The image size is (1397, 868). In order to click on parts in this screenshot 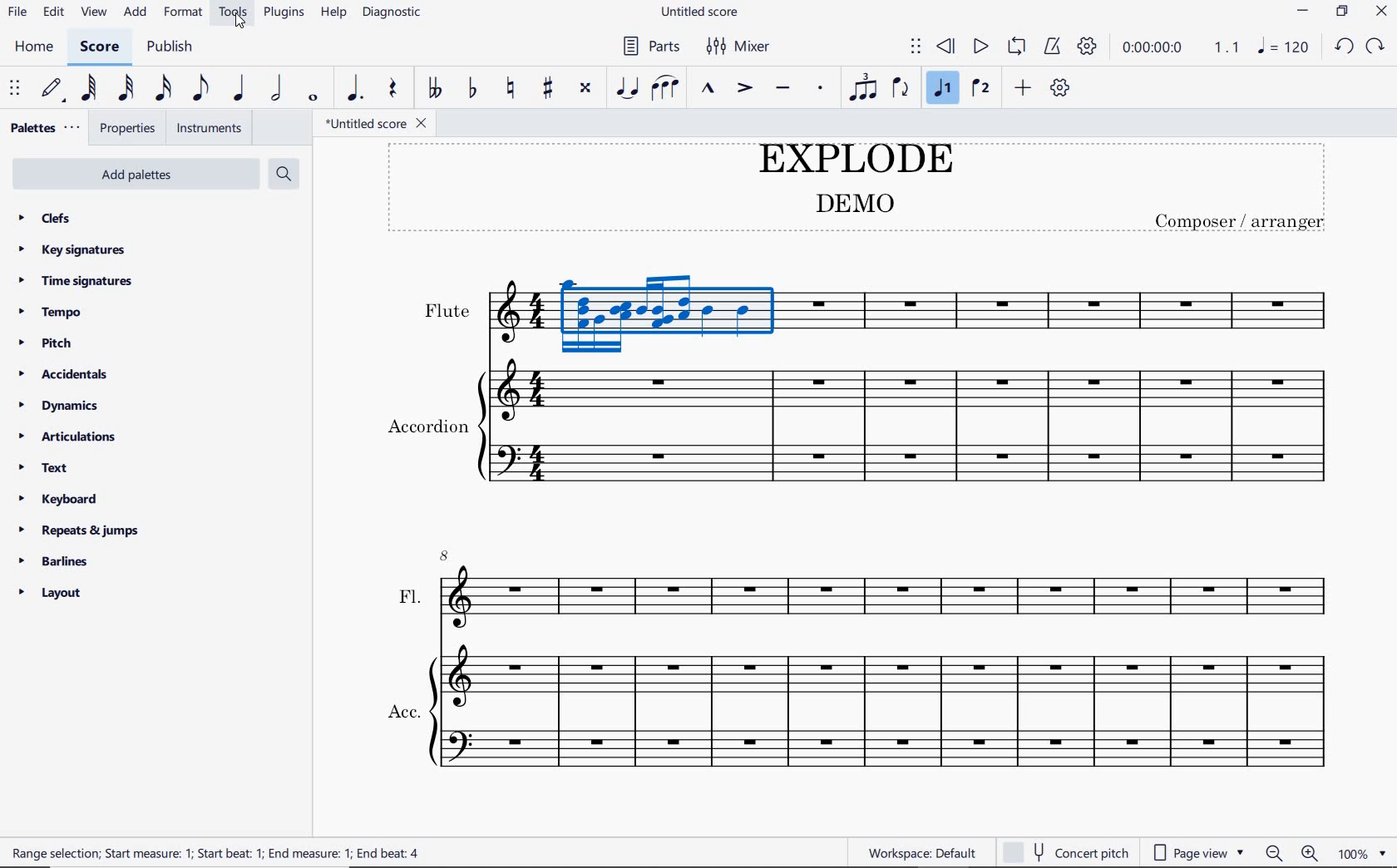, I will do `click(649, 45)`.